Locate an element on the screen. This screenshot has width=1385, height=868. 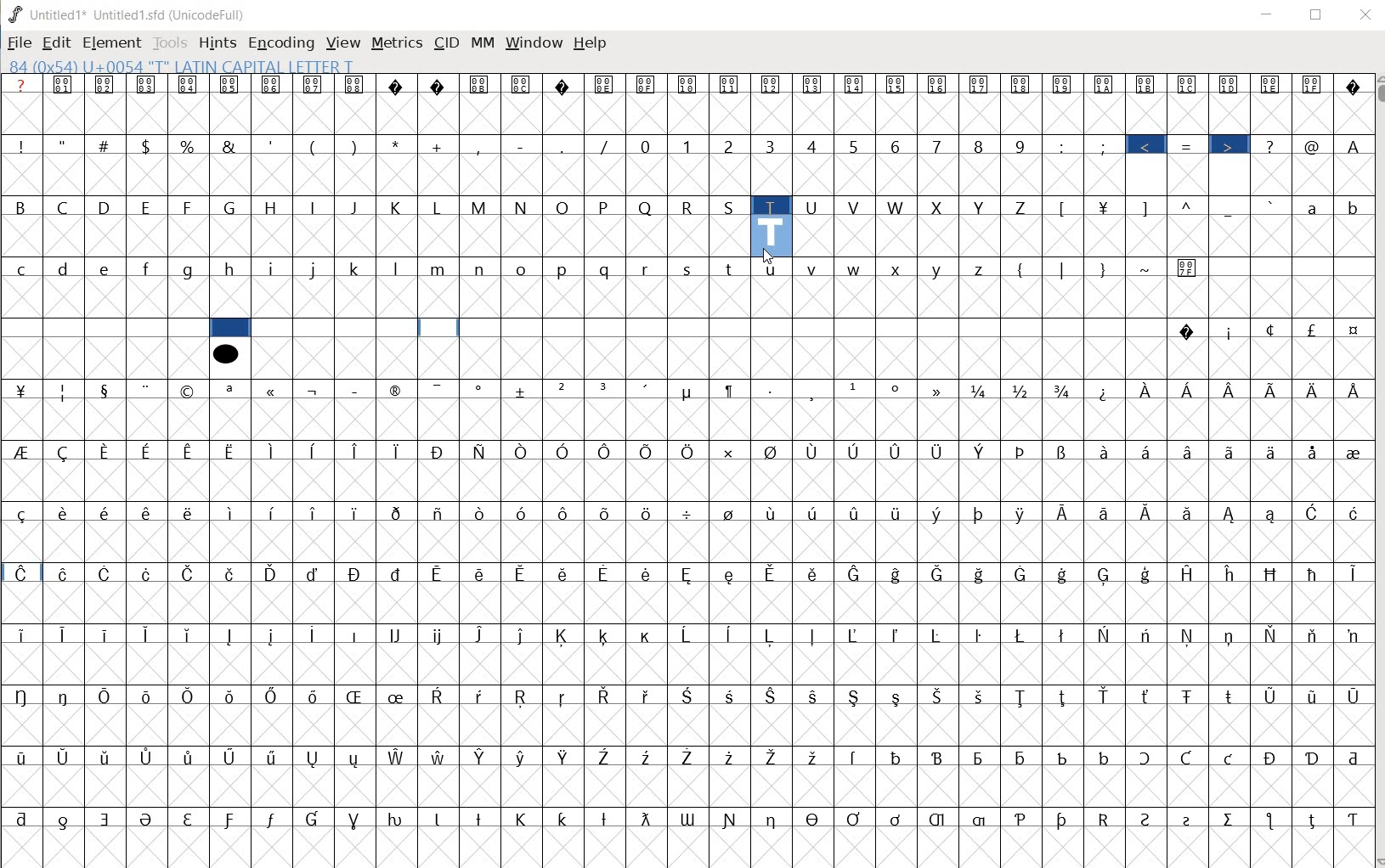
b is located at coordinates (1350, 206).